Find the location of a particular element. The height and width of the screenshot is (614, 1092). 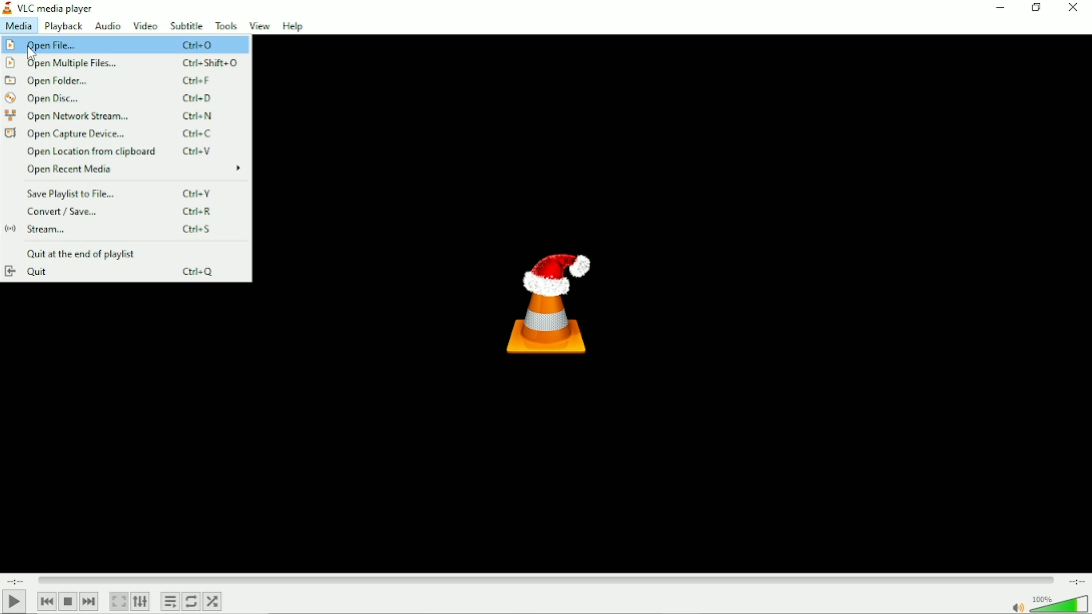

Toggle between loop all, loop one and no loop is located at coordinates (191, 602).